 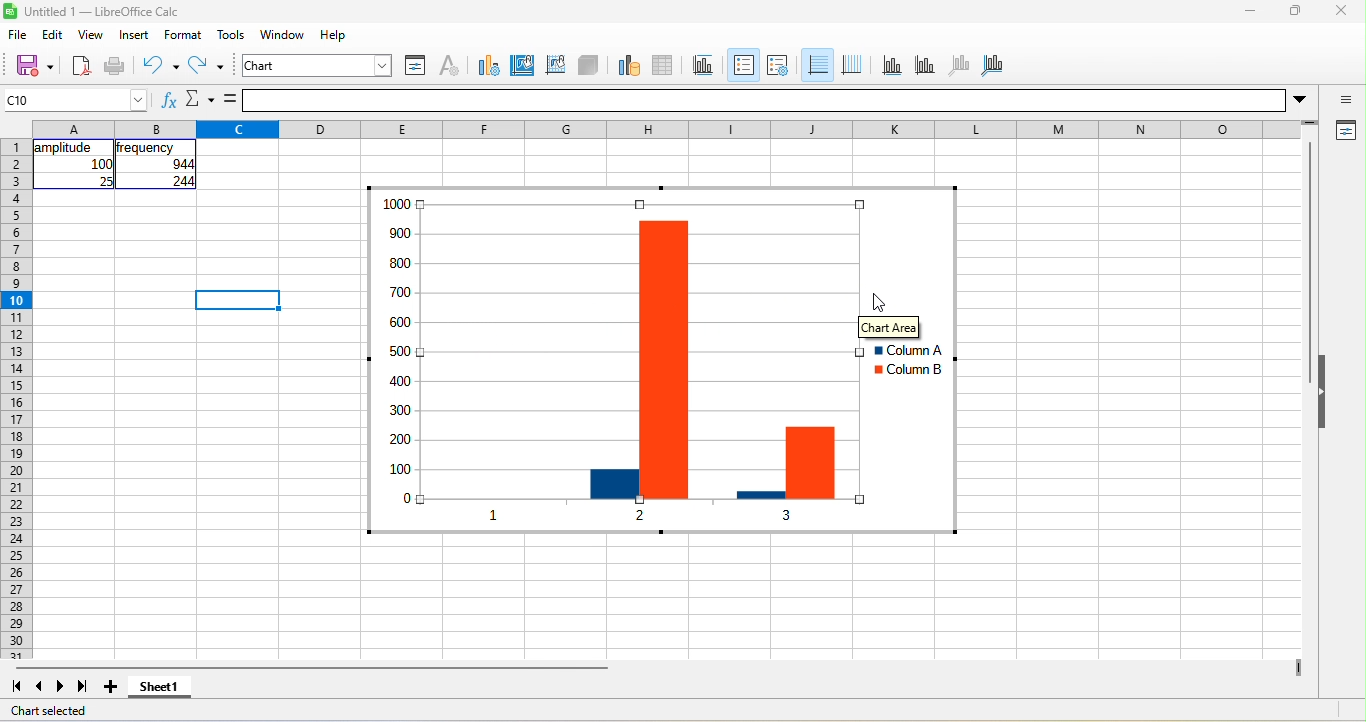 I want to click on column b, so click(x=907, y=372).